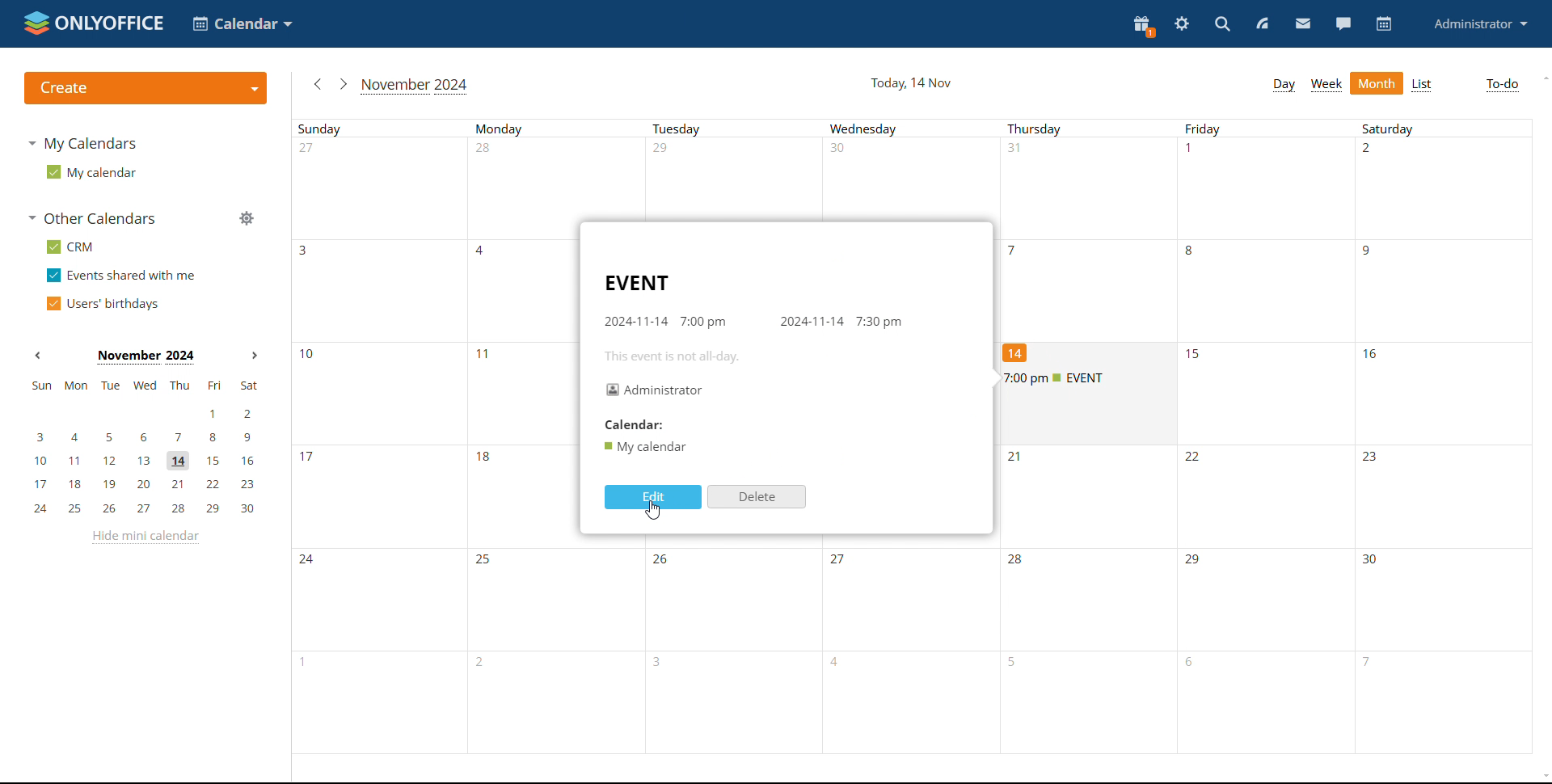 Image resolution: width=1552 pixels, height=784 pixels. What do you see at coordinates (880, 322) in the screenshot?
I see `end time` at bounding box center [880, 322].